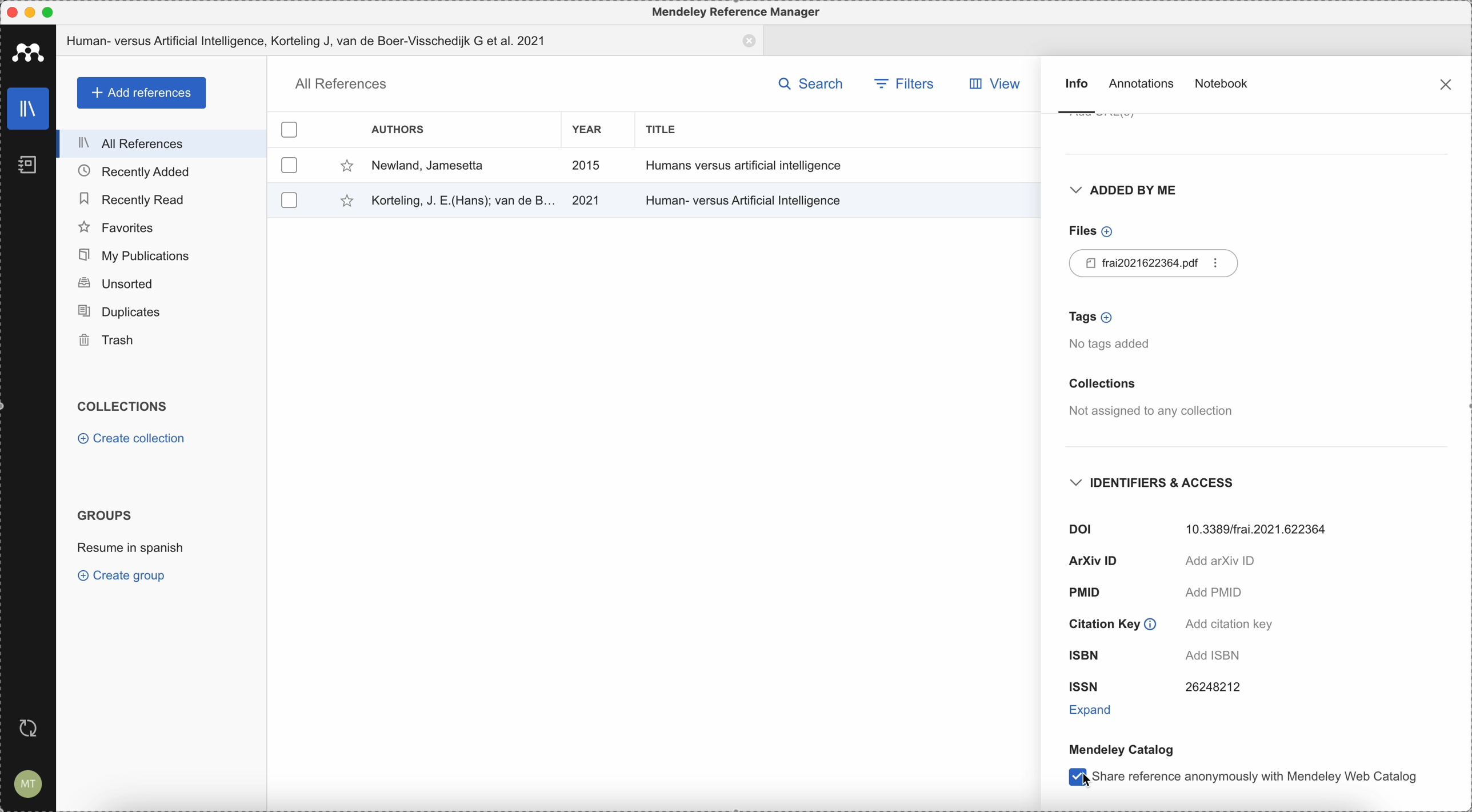 The image size is (1472, 812). Describe the element at coordinates (1164, 654) in the screenshot. I see `ISBN add ISBN` at that location.